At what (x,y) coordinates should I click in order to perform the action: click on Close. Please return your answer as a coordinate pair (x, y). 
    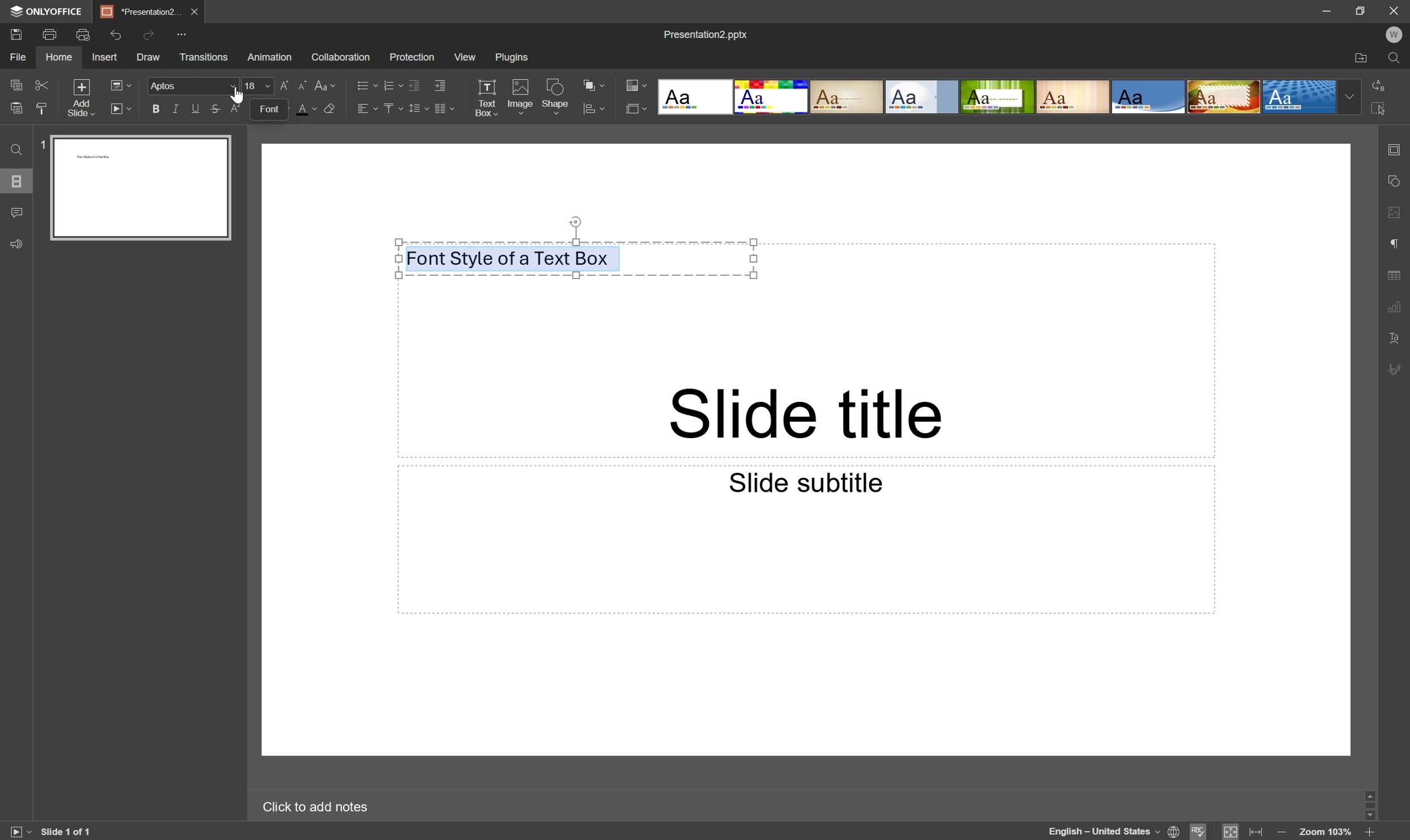
    Looking at the image, I should click on (196, 11).